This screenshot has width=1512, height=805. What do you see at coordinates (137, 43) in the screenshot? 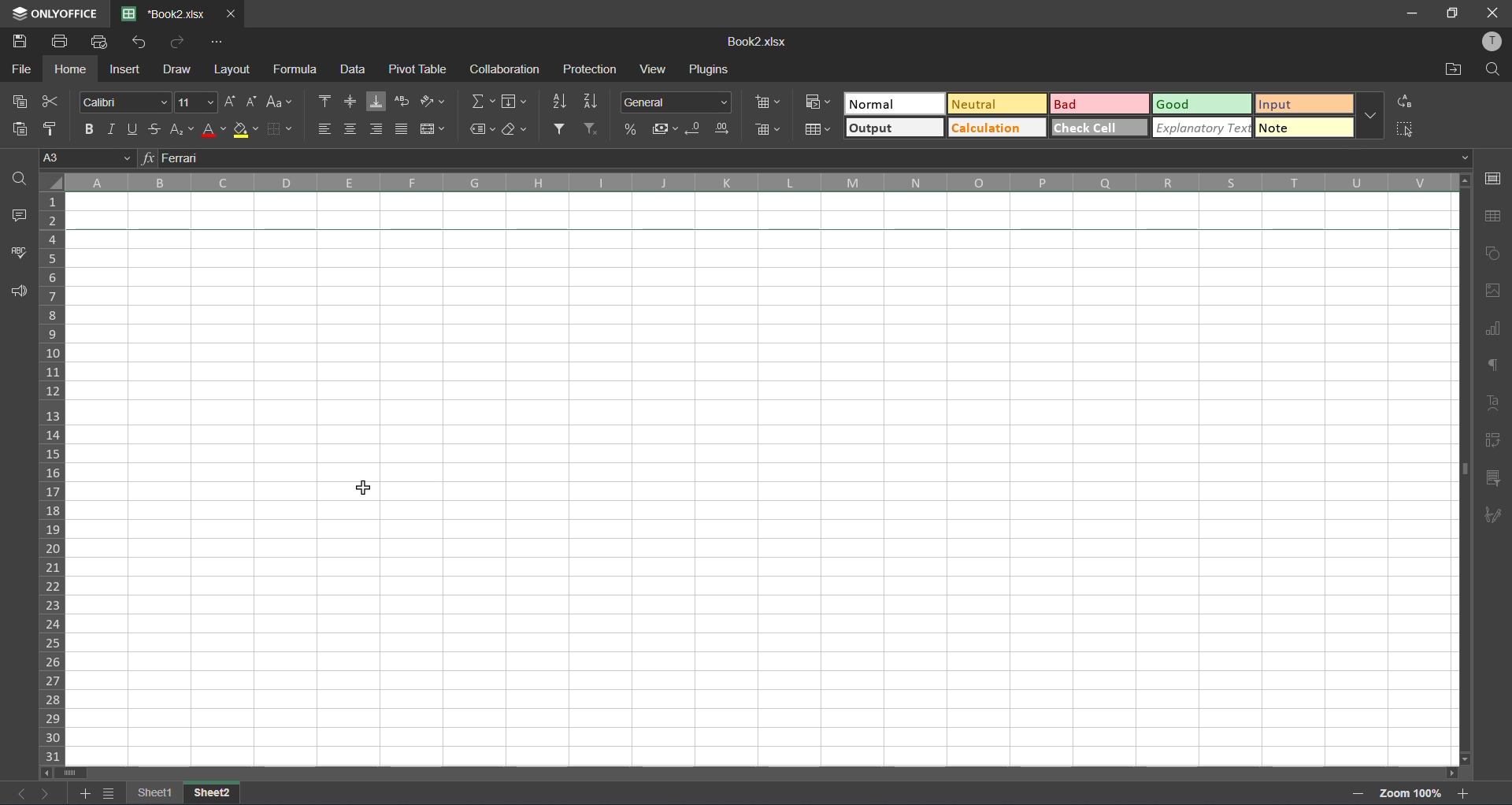
I see `undo` at bounding box center [137, 43].